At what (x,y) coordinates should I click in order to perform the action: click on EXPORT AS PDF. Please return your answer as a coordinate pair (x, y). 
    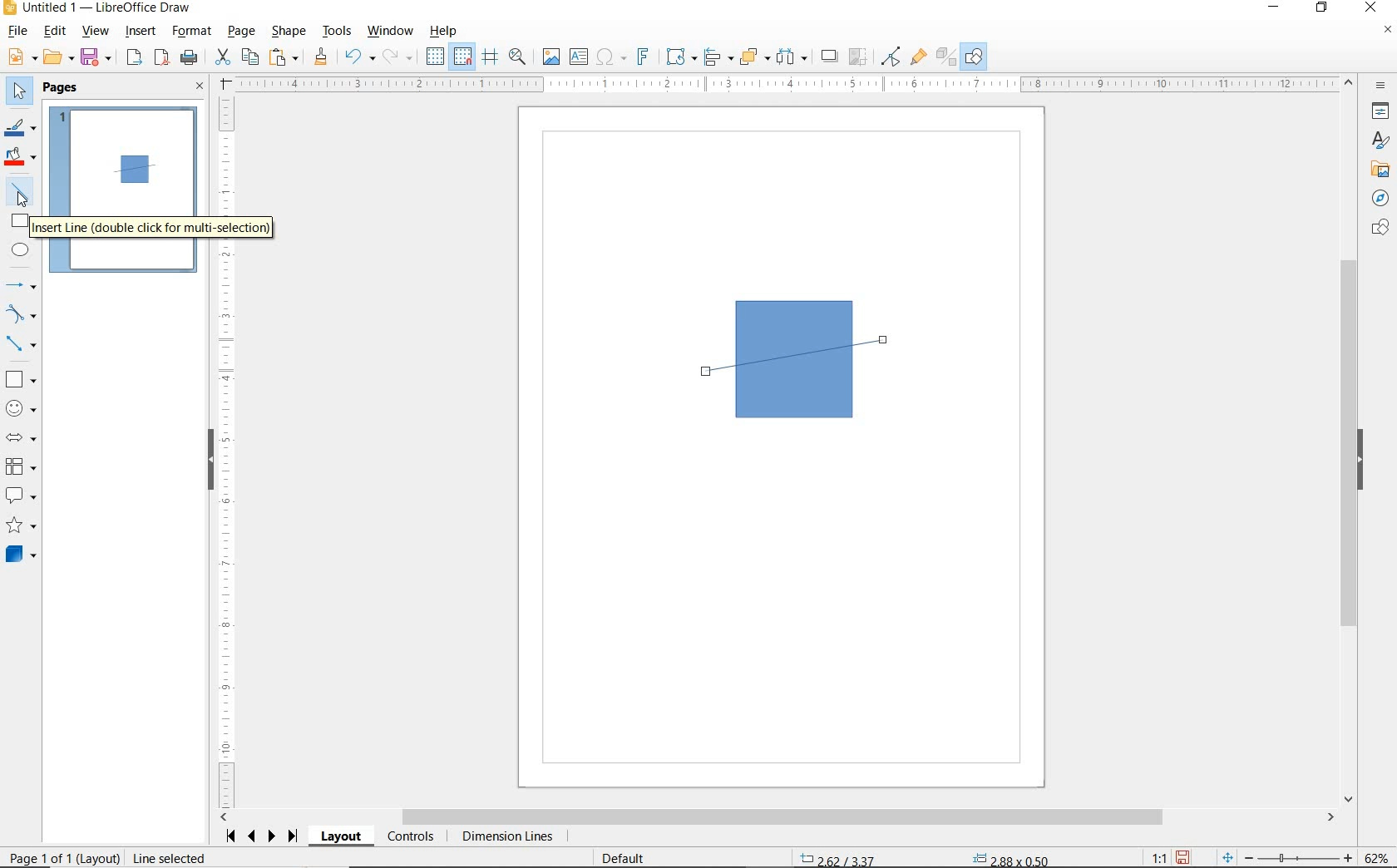
    Looking at the image, I should click on (163, 59).